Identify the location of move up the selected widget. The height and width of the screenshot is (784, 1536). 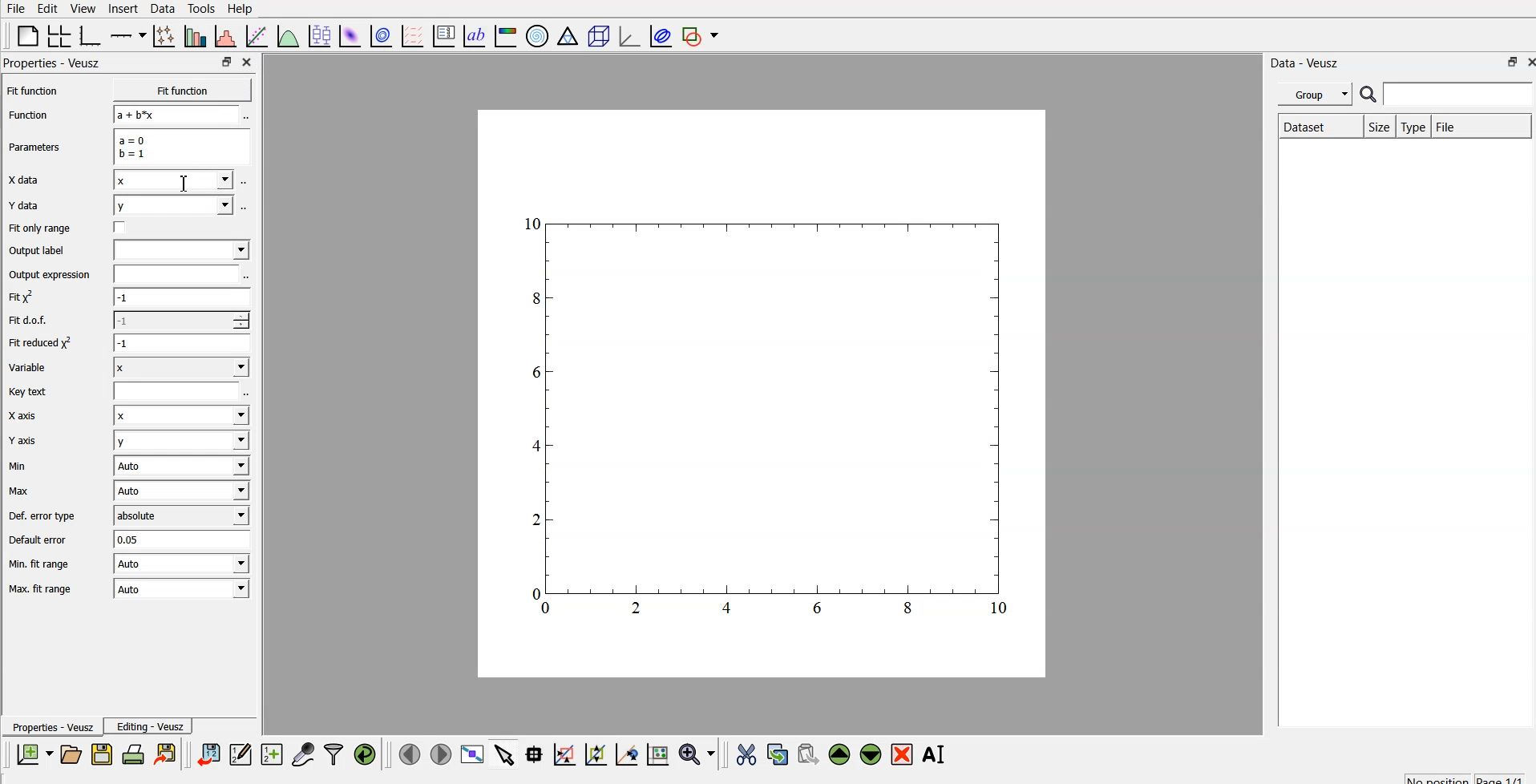
(839, 754).